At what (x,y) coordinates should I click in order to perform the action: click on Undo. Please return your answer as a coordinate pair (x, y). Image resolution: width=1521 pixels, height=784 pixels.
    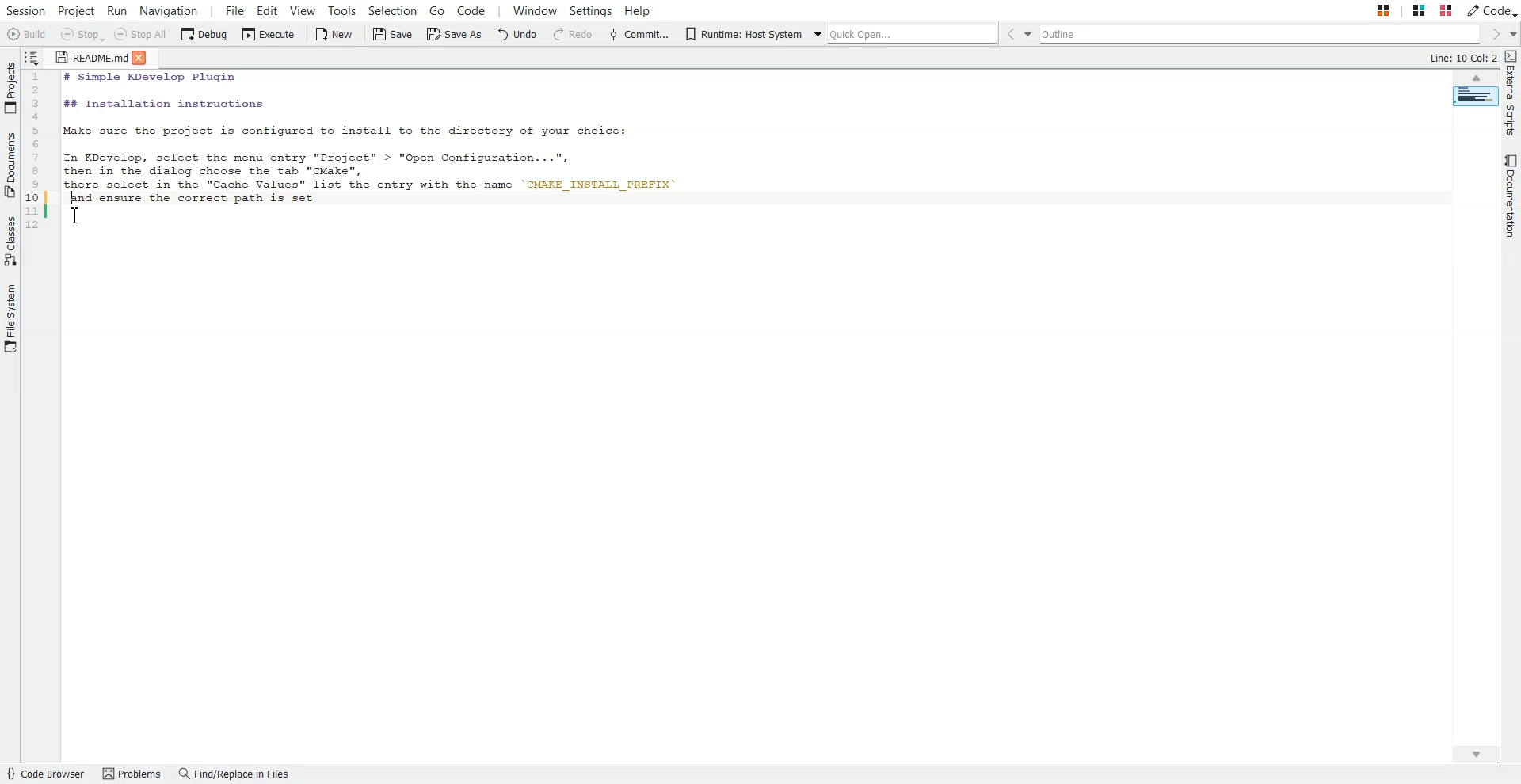
    Looking at the image, I should click on (517, 35).